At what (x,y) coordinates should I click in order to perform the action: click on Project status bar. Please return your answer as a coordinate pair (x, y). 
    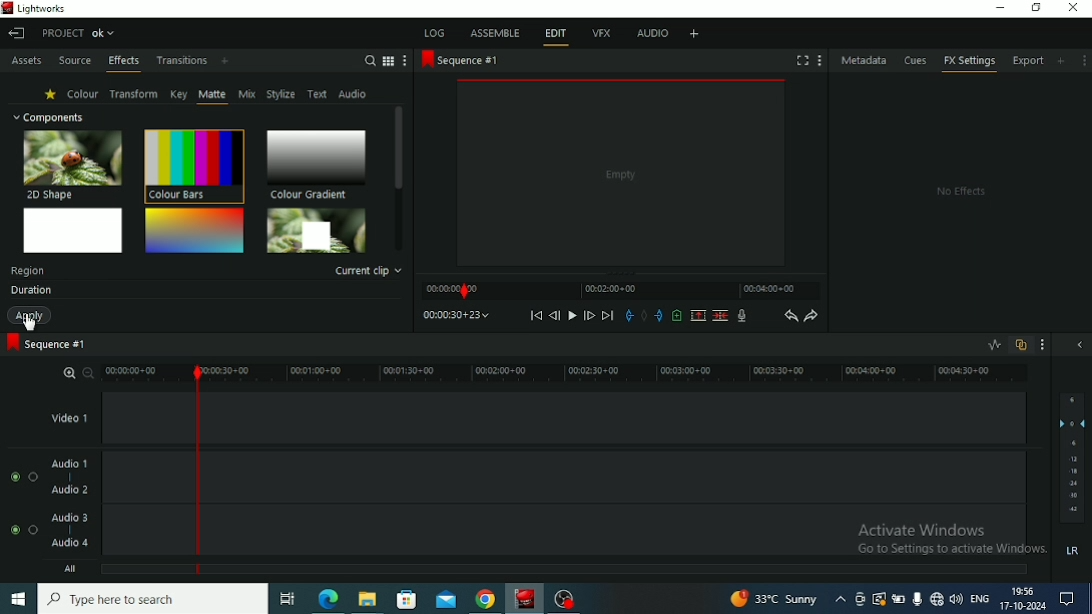
    Looking at the image, I should click on (81, 32).